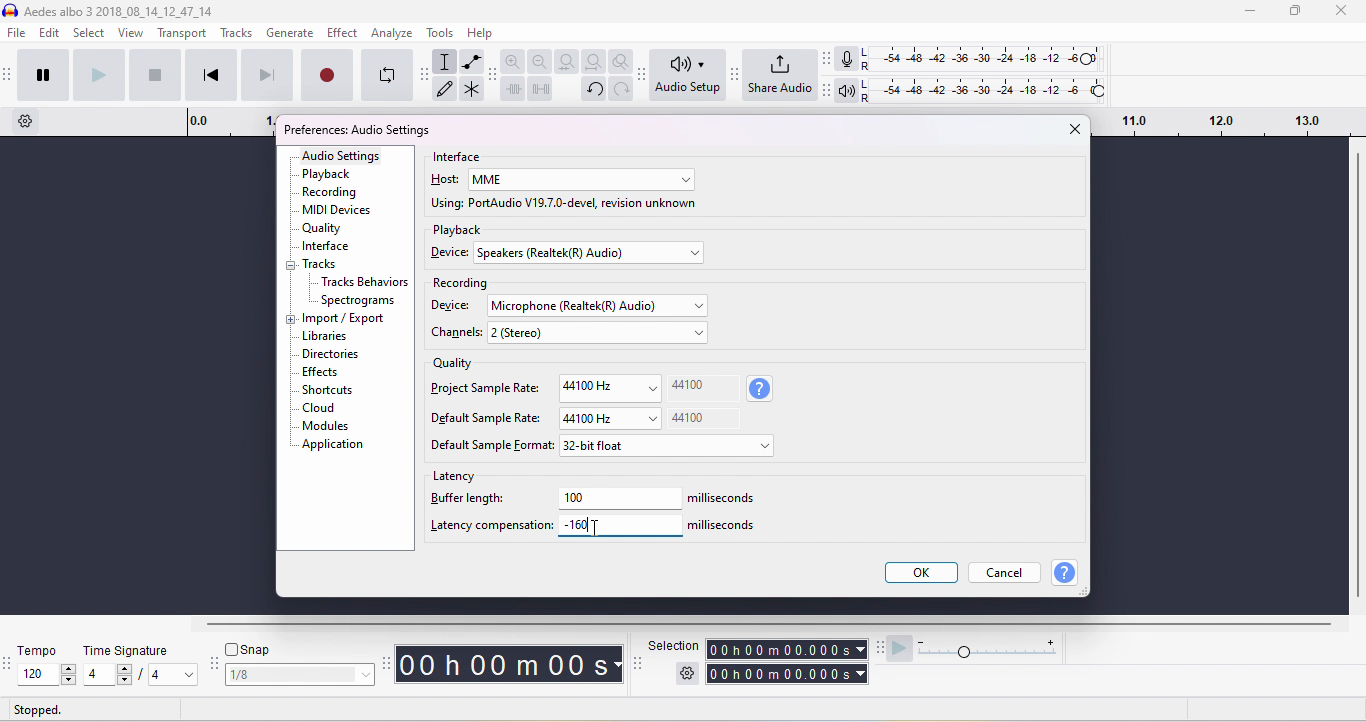  Describe the element at coordinates (183, 34) in the screenshot. I see `transport` at that location.